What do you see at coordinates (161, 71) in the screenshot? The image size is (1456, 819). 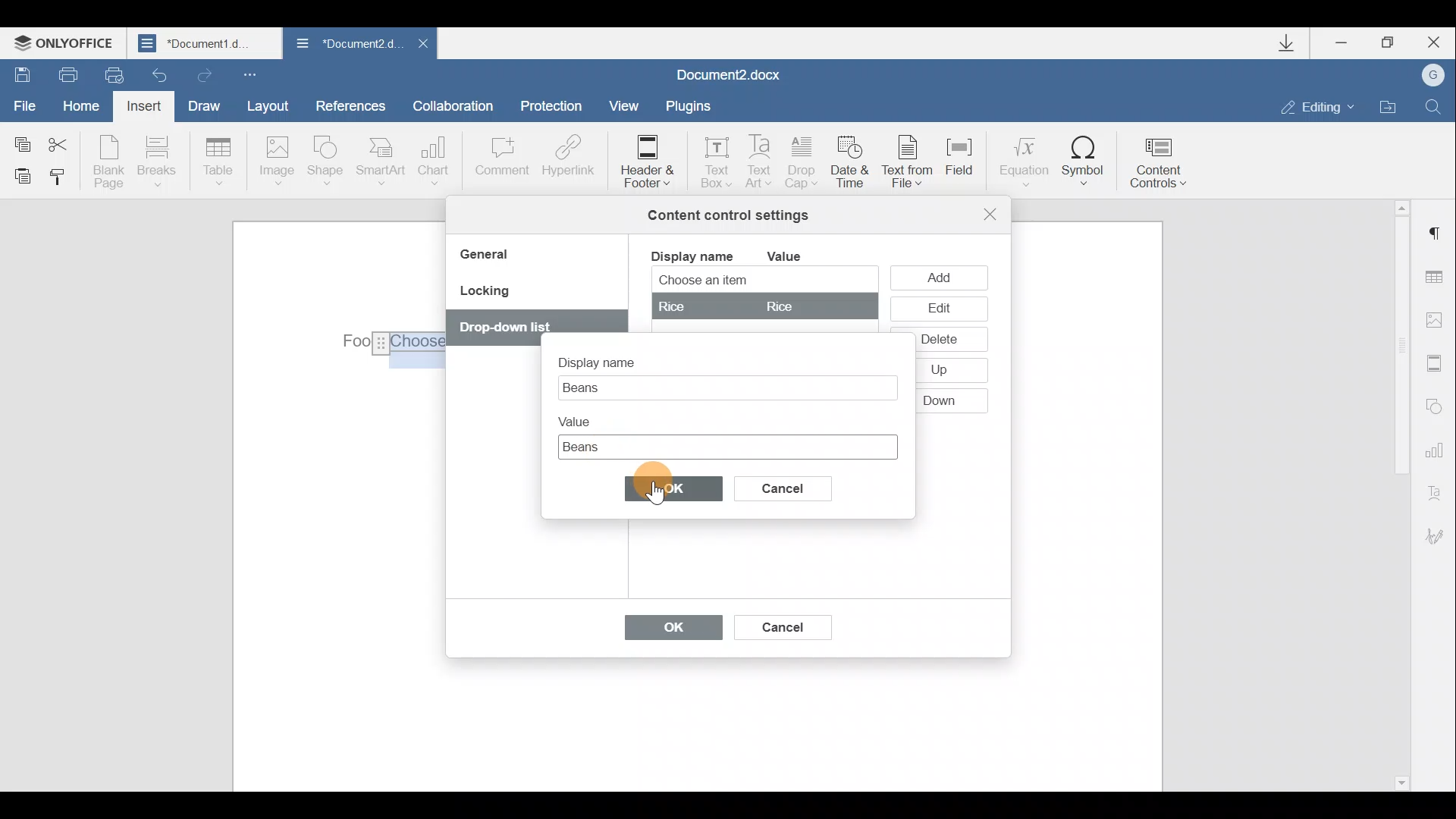 I see `Undo` at bounding box center [161, 71].